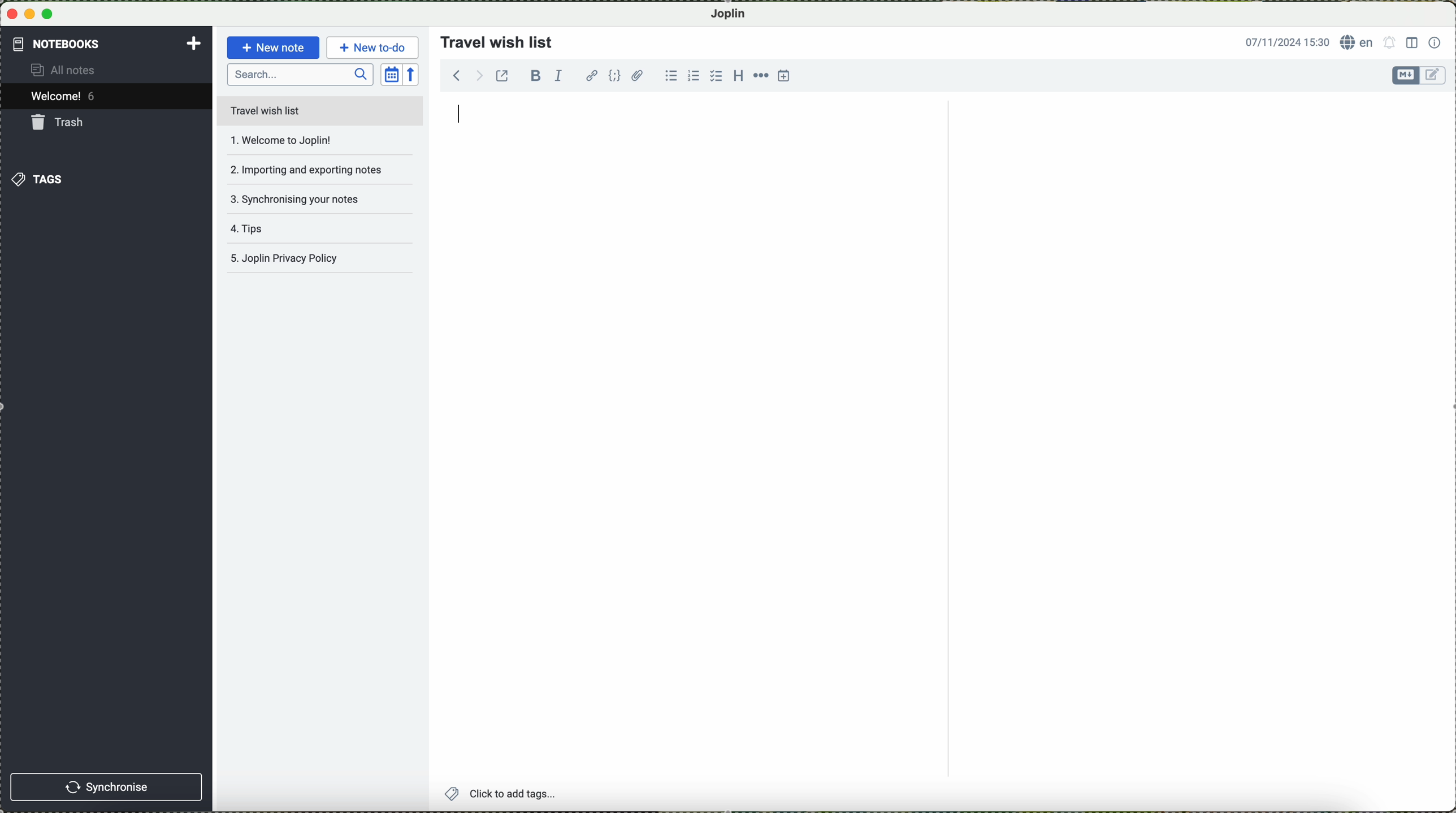 The image size is (1456, 813). Describe the element at coordinates (714, 76) in the screenshot. I see `checkbox` at that location.